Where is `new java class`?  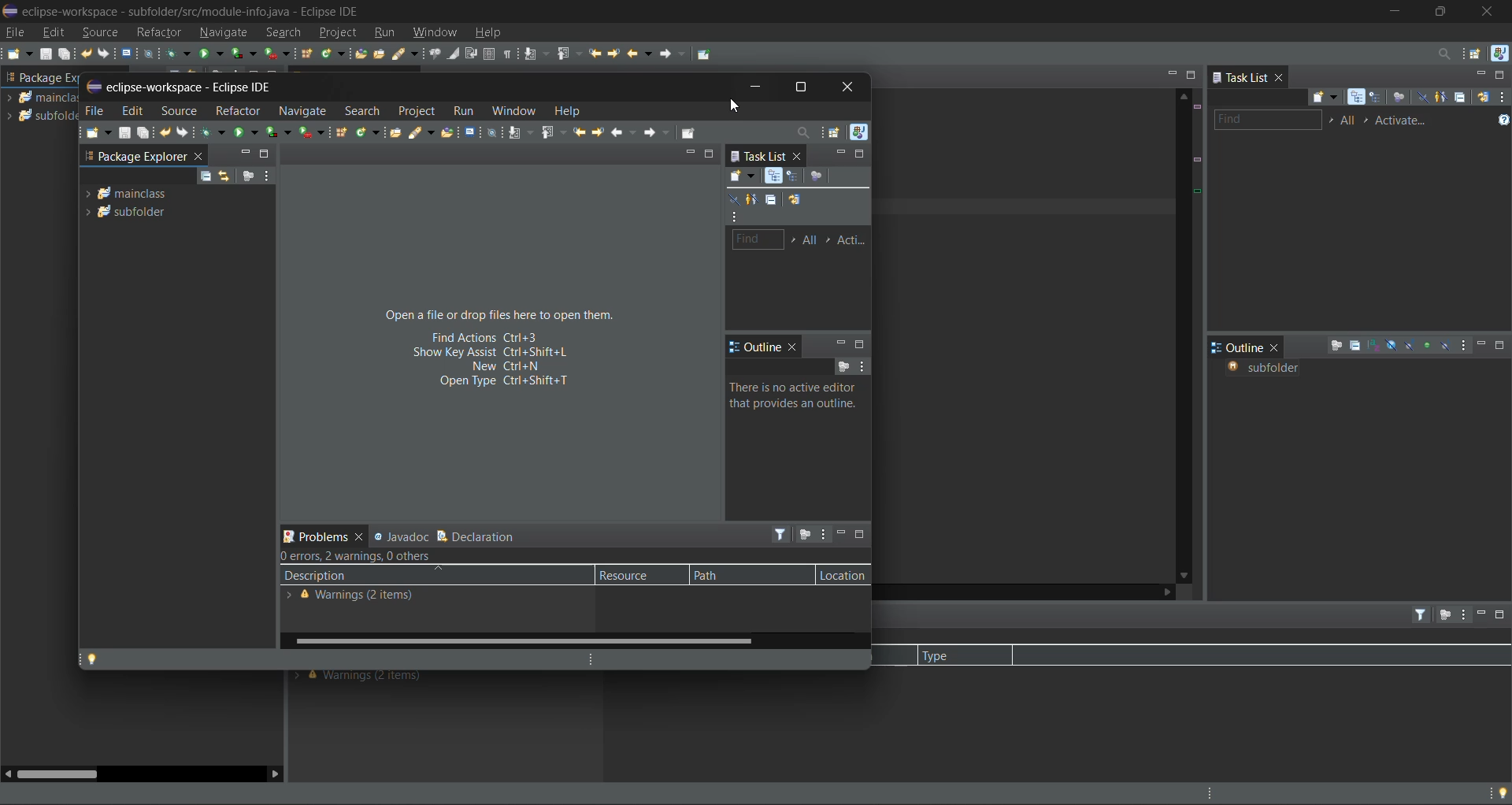 new java class is located at coordinates (372, 134).